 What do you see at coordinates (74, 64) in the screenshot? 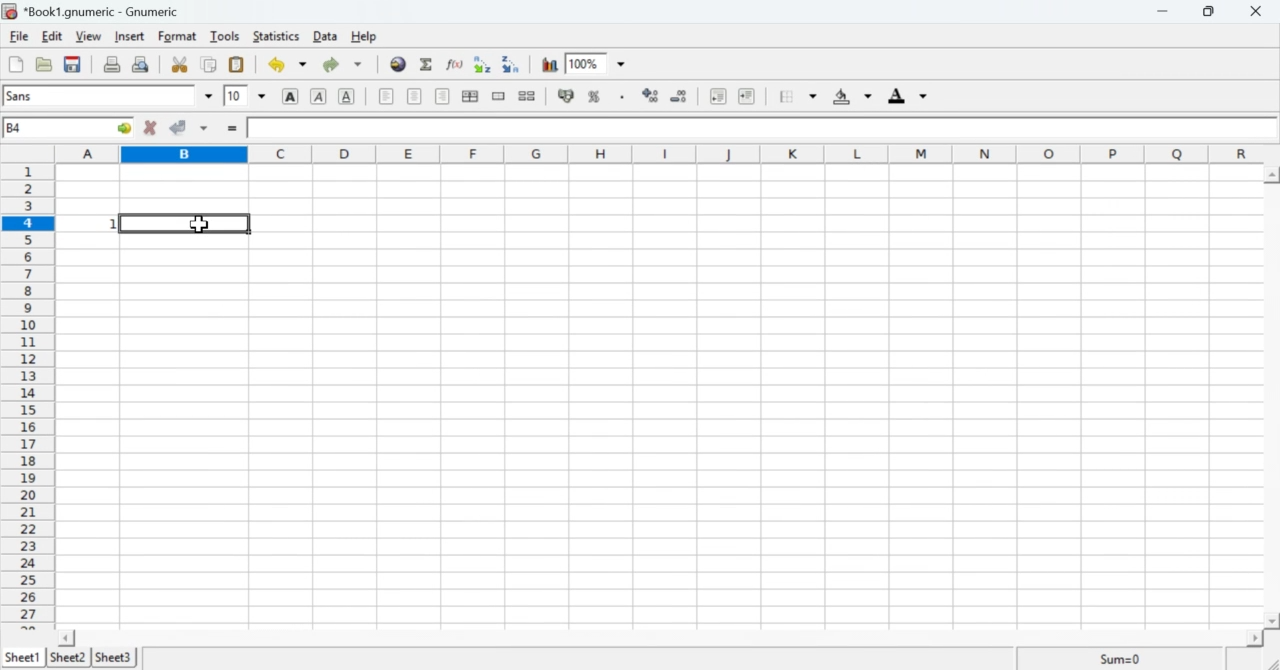
I see `Save the current workbook` at bounding box center [74, 64].